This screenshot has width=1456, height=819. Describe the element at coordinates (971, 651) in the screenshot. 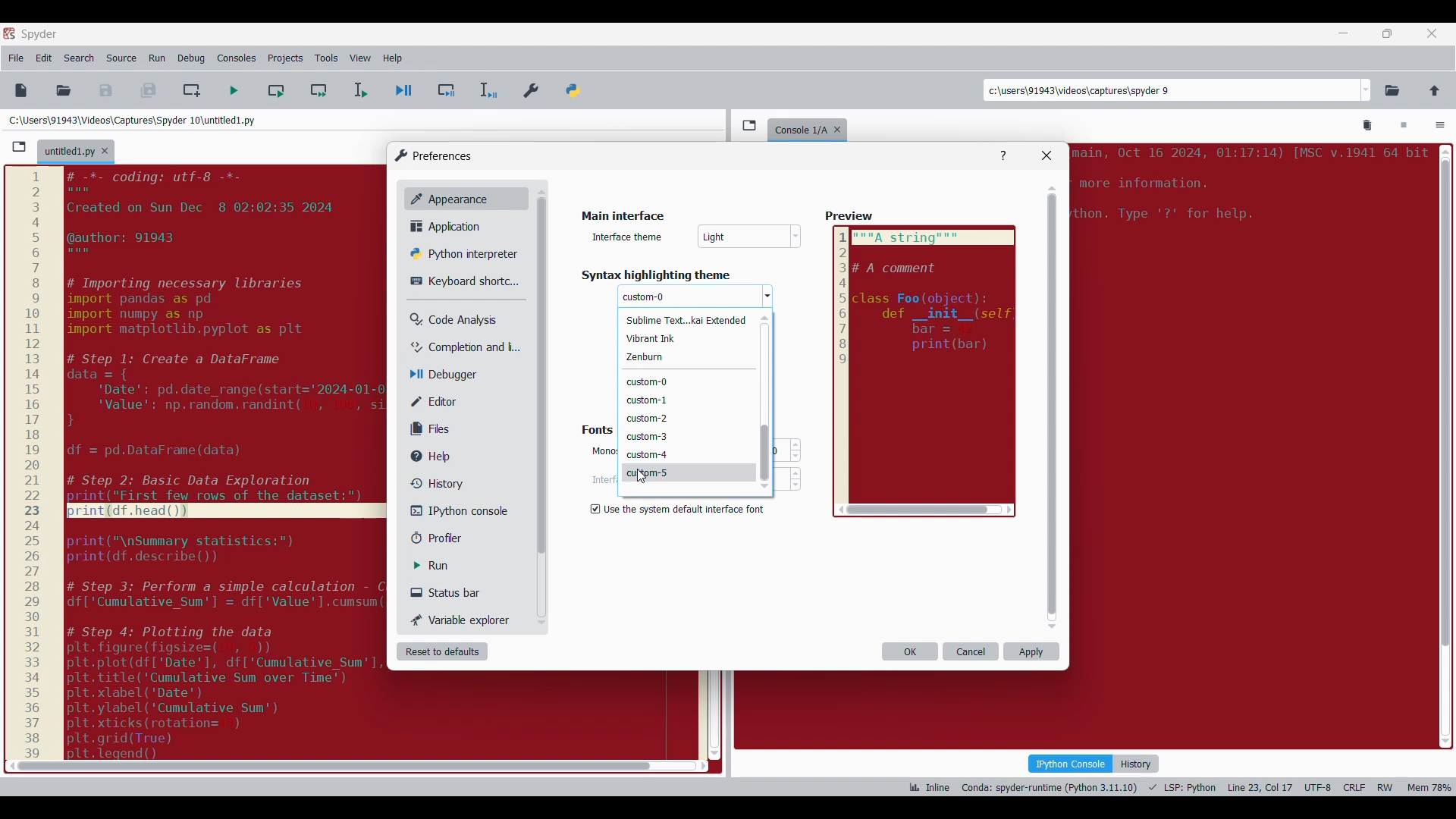

I see `Cancel` at that location.